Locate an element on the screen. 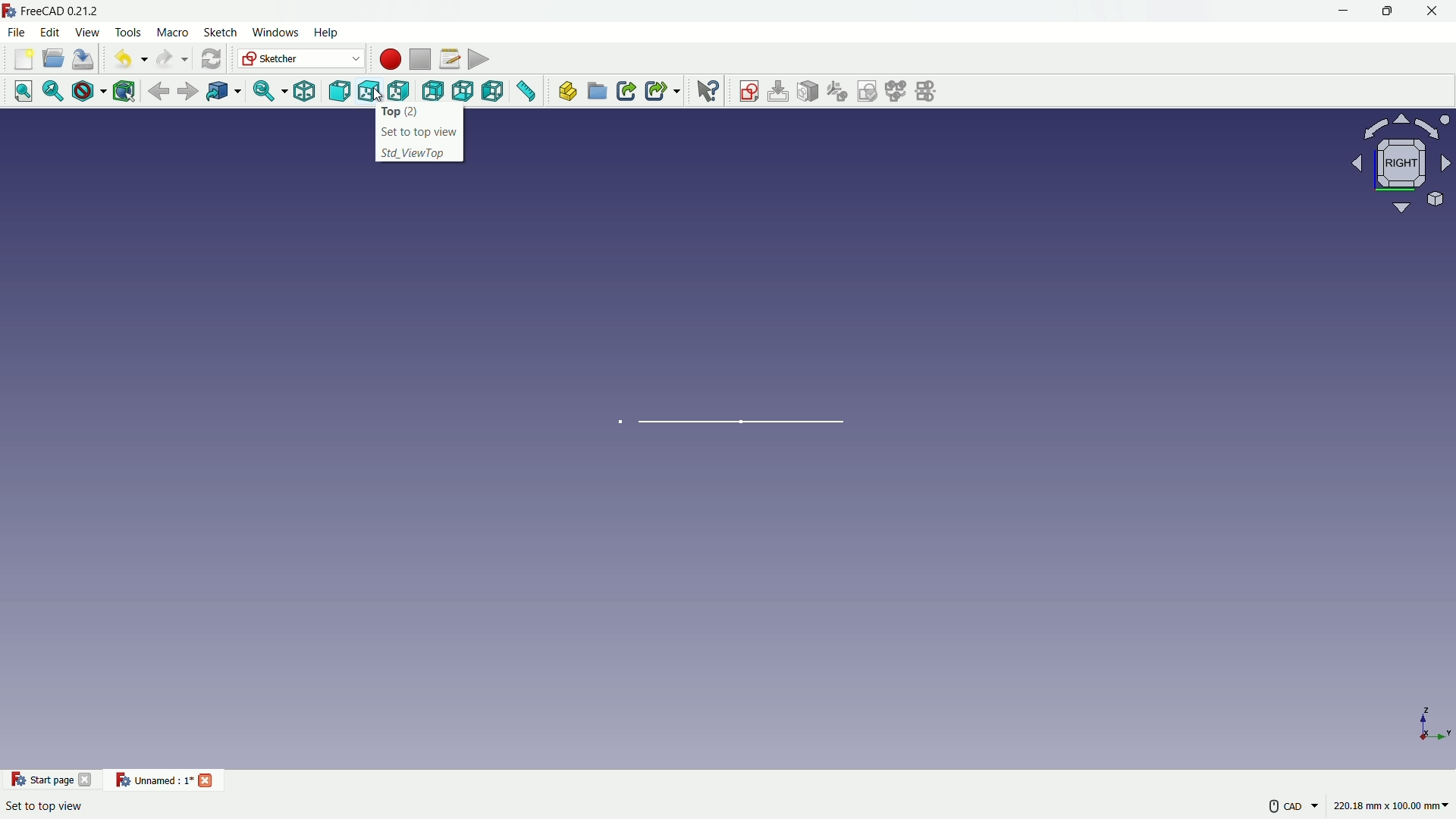 The height and width of the screenshot is (819, 1456). help menu is located at coordinates (327, 33).